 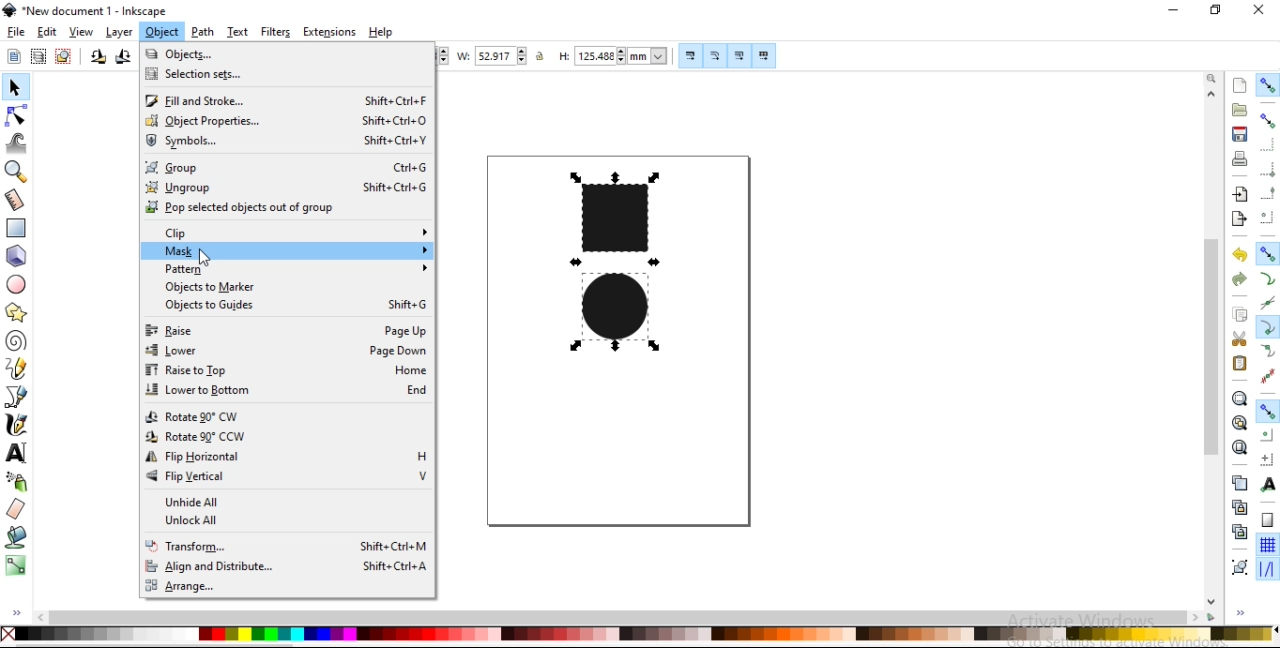 What do you see at coordinates (37, 56) in the screenshot?
I see `select all objects in all visible and unlocked layers` at bounding box center [37, 56].